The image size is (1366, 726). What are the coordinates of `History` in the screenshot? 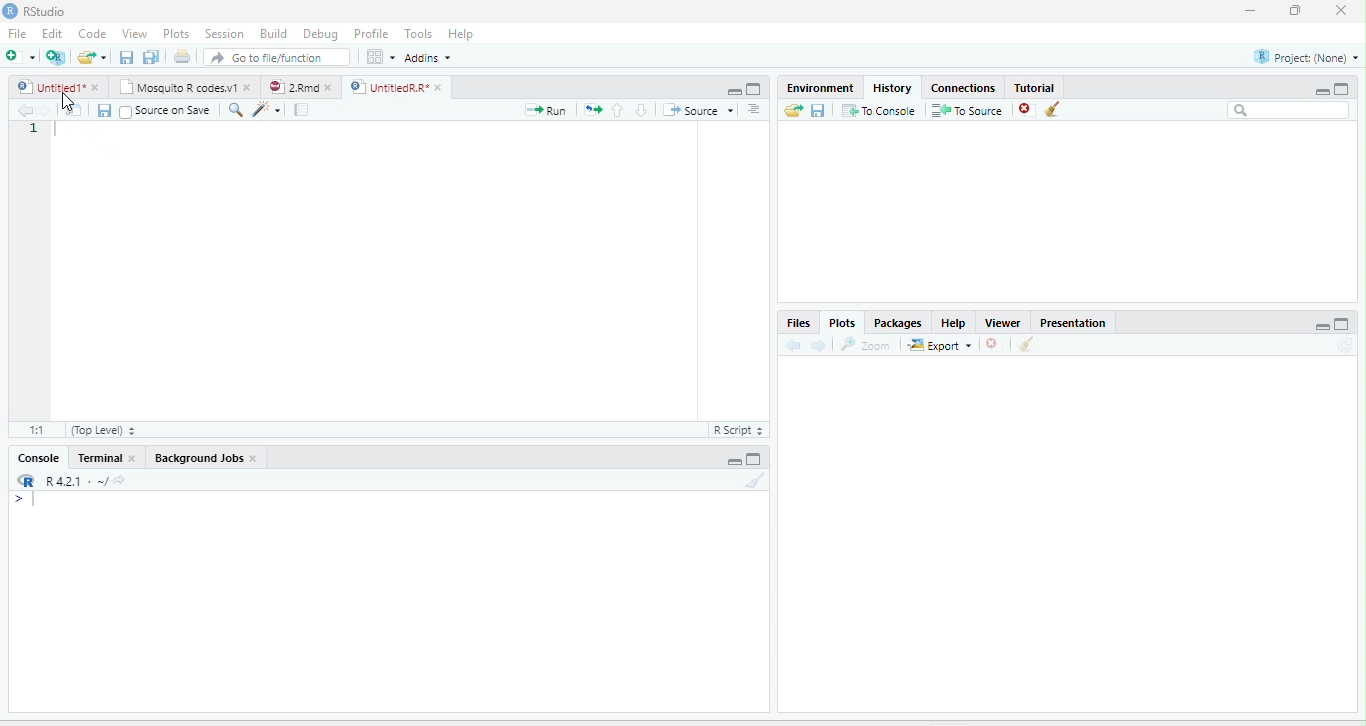 It's located at (893, 87).